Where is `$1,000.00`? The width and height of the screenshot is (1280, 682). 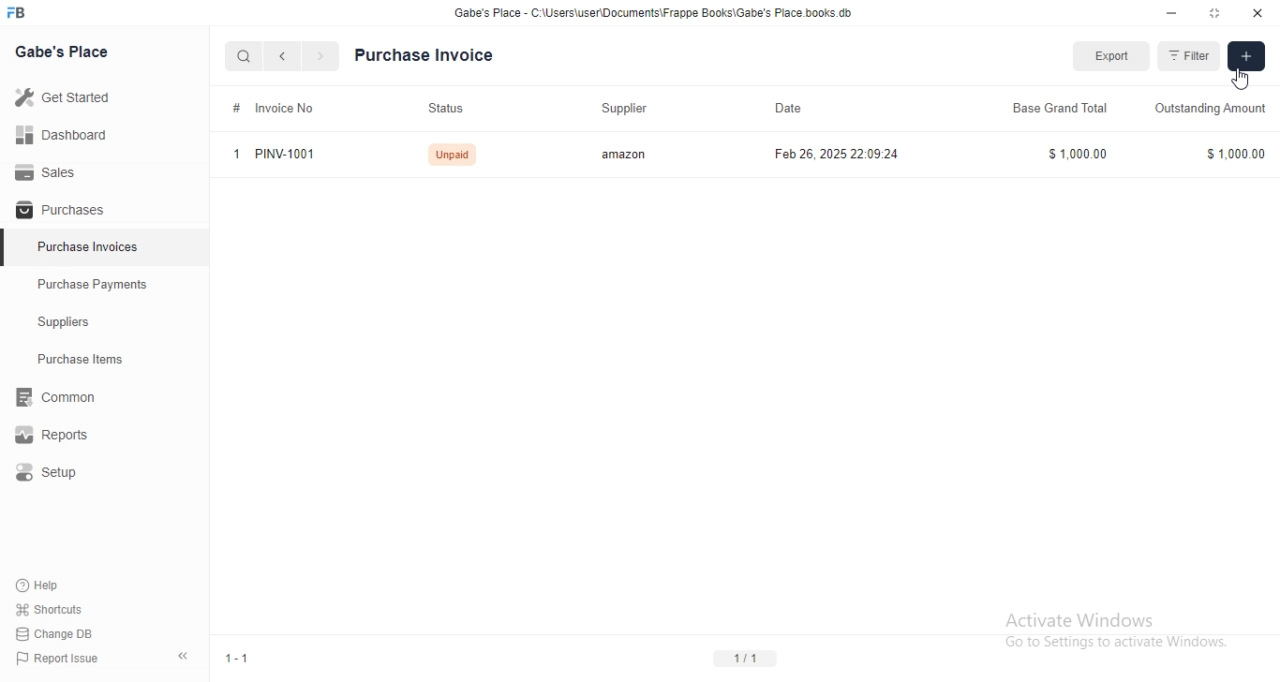 $1,000.00 is located at coordinates (1078, 154).